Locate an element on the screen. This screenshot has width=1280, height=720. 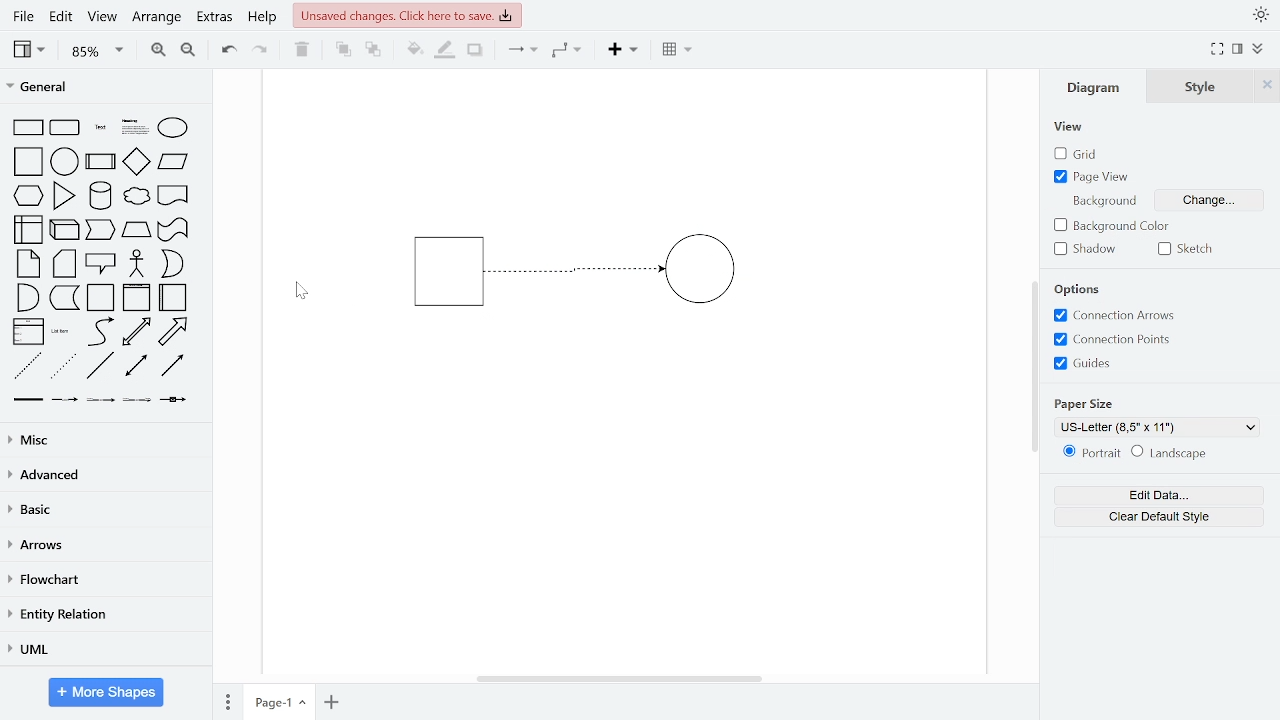
curve is located at coordinates (101, 331).